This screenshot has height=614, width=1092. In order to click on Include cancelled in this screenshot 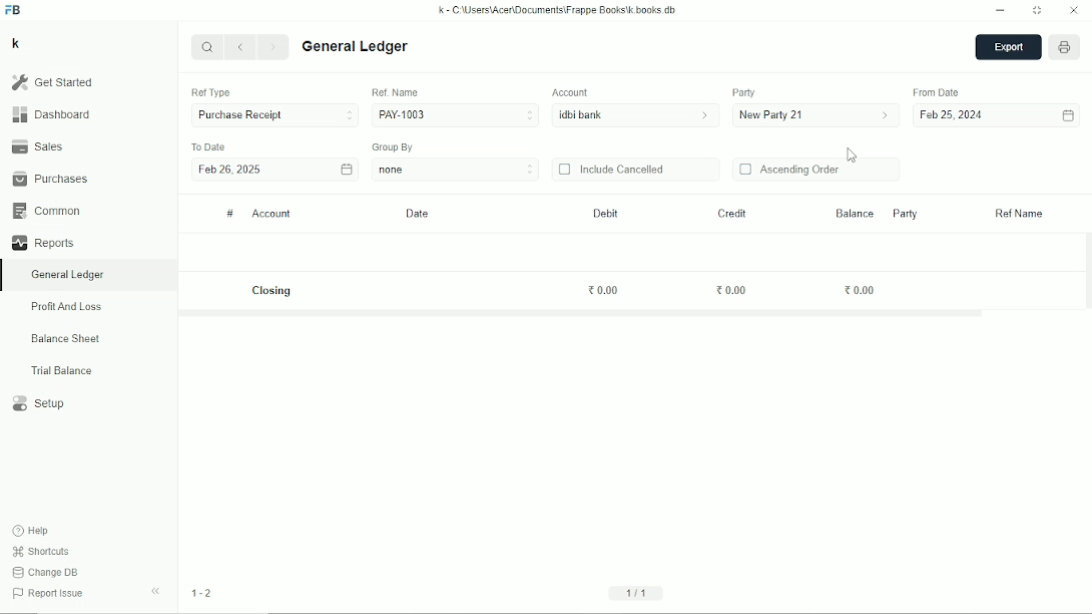, I will do `click(611, 169)`.